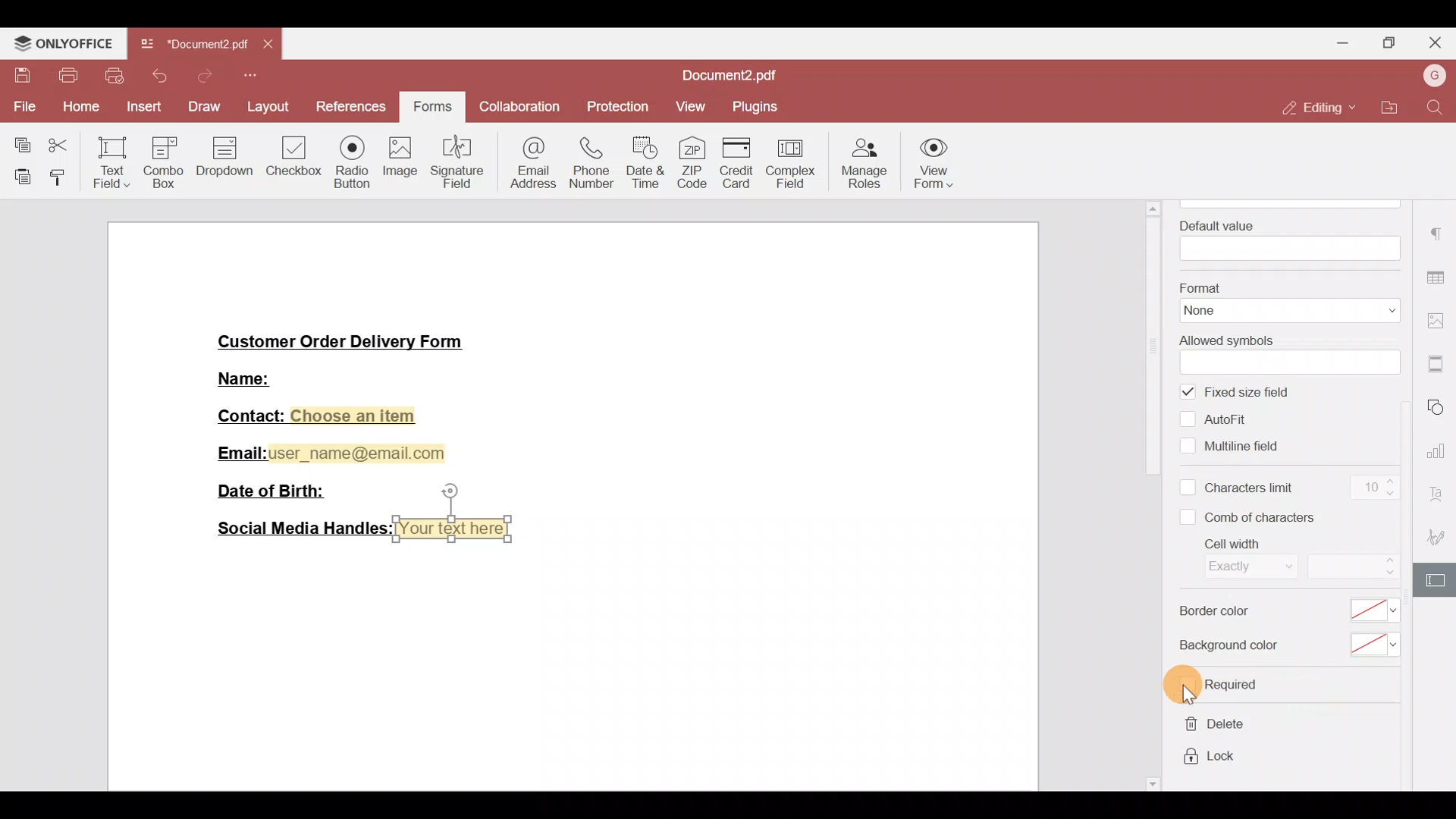 This screenshot has height=819, width=1456. Describe the element at coordinates (278, 490) in the screenshot. I see `Date of Birth:` at that location.